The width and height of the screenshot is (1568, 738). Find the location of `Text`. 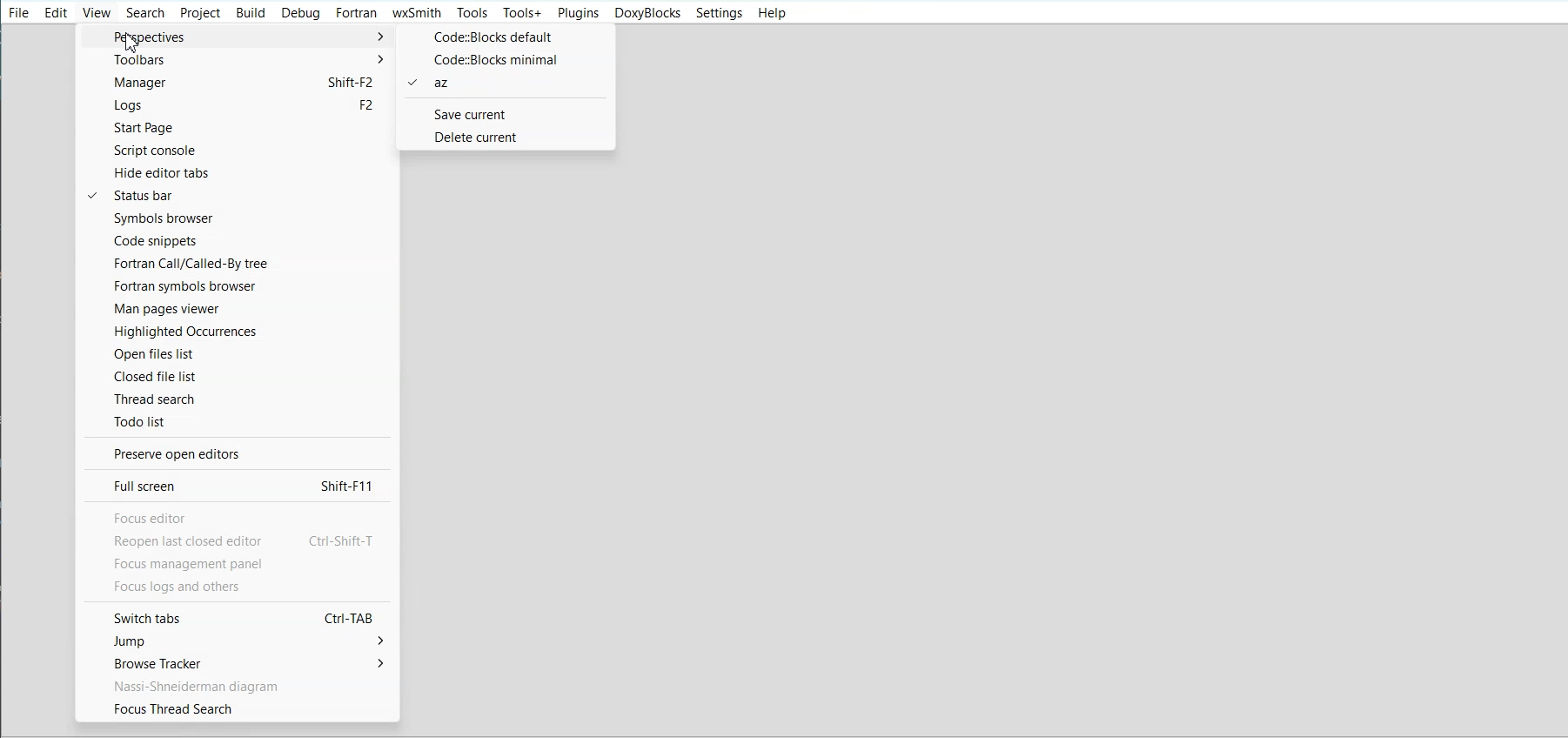

Text is located at coordinates (192, 686).